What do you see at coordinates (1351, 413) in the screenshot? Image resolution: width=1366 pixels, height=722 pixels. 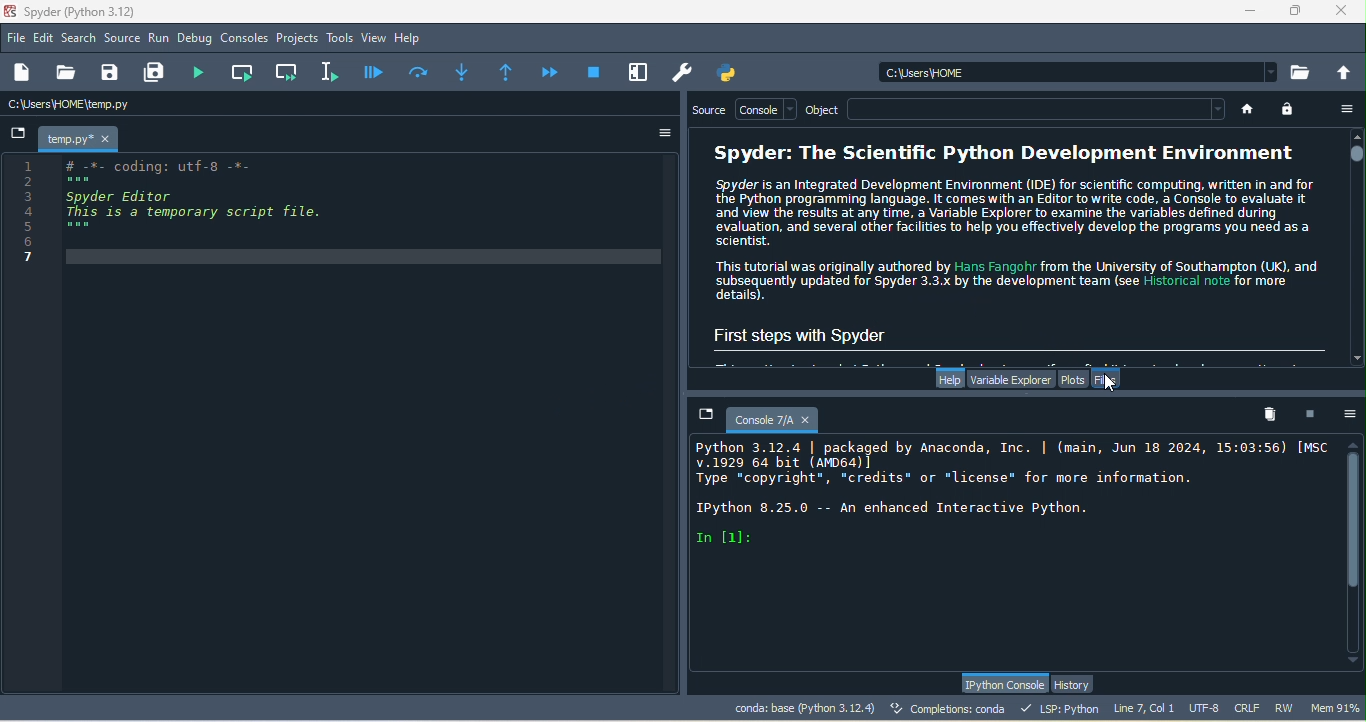 I see `options` at bounding box center [1351, 413].